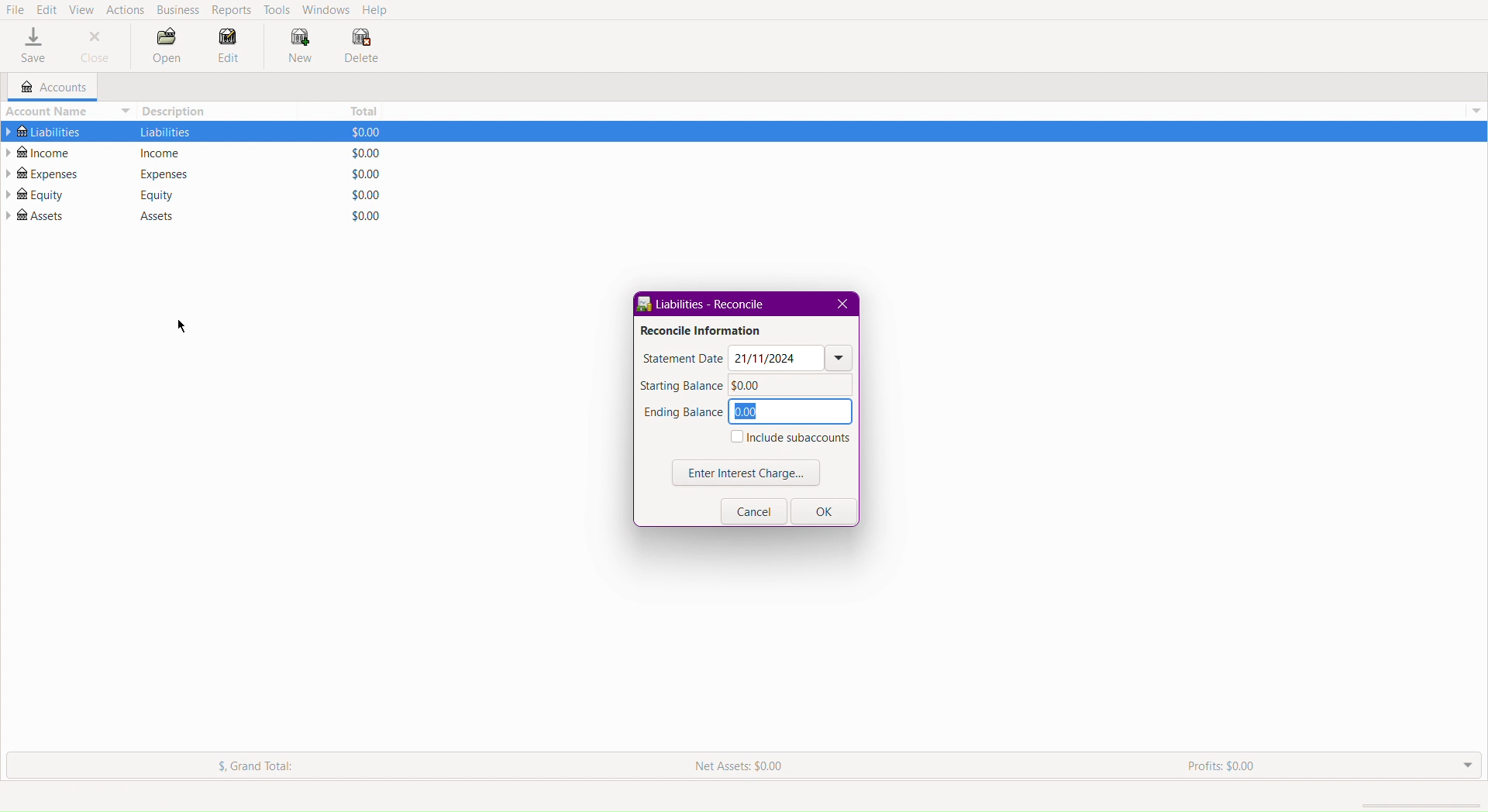 The image size is (1488, 812). What do you see at coordinates (298, 48) in the screenshot?
I see `New` at bounding box center [298, 48].